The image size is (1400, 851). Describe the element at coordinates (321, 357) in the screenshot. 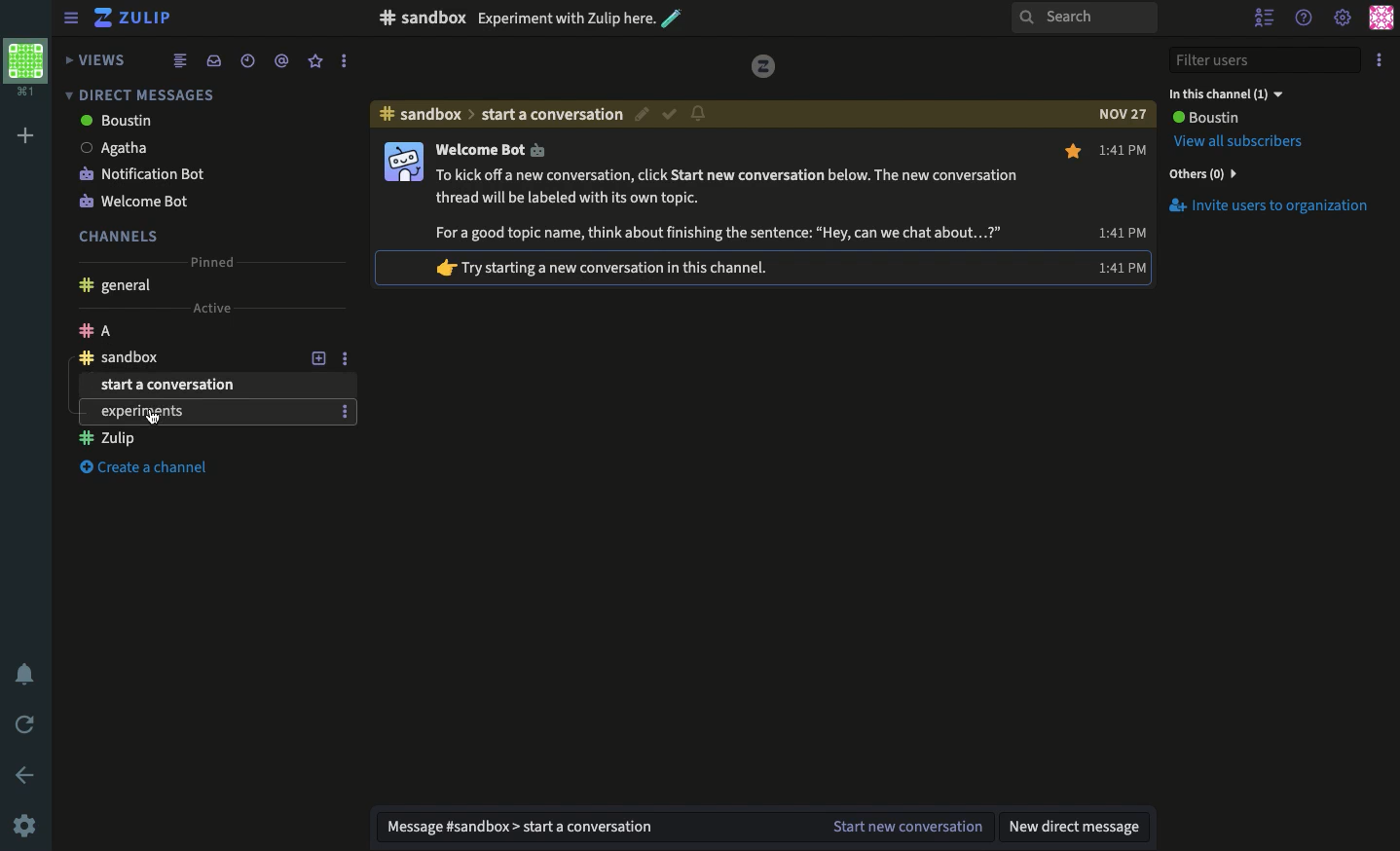

I see `Add a topic` at that location.